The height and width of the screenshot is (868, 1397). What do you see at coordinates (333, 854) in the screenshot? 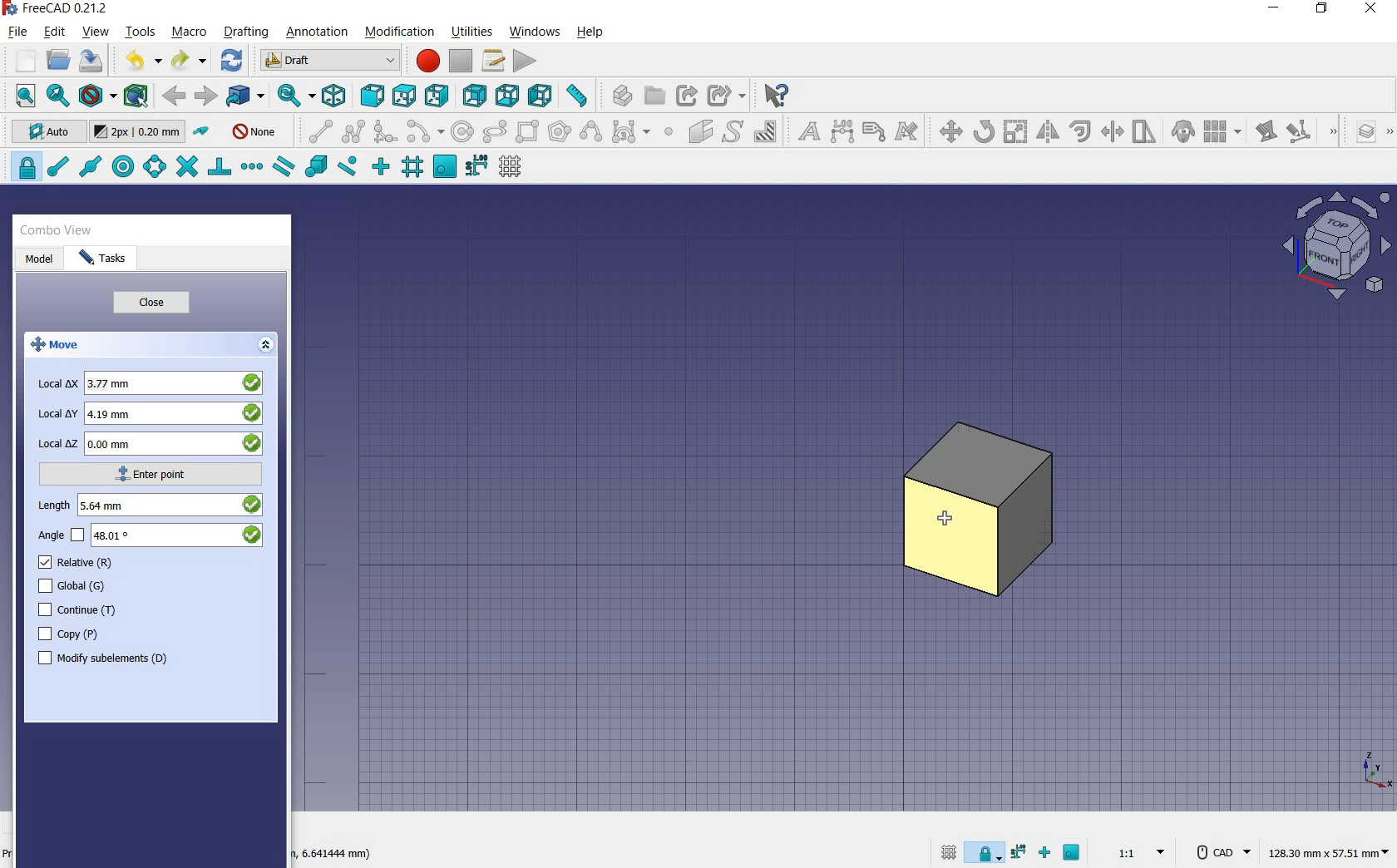
I see `dimension` at bounding box center [333, 854].